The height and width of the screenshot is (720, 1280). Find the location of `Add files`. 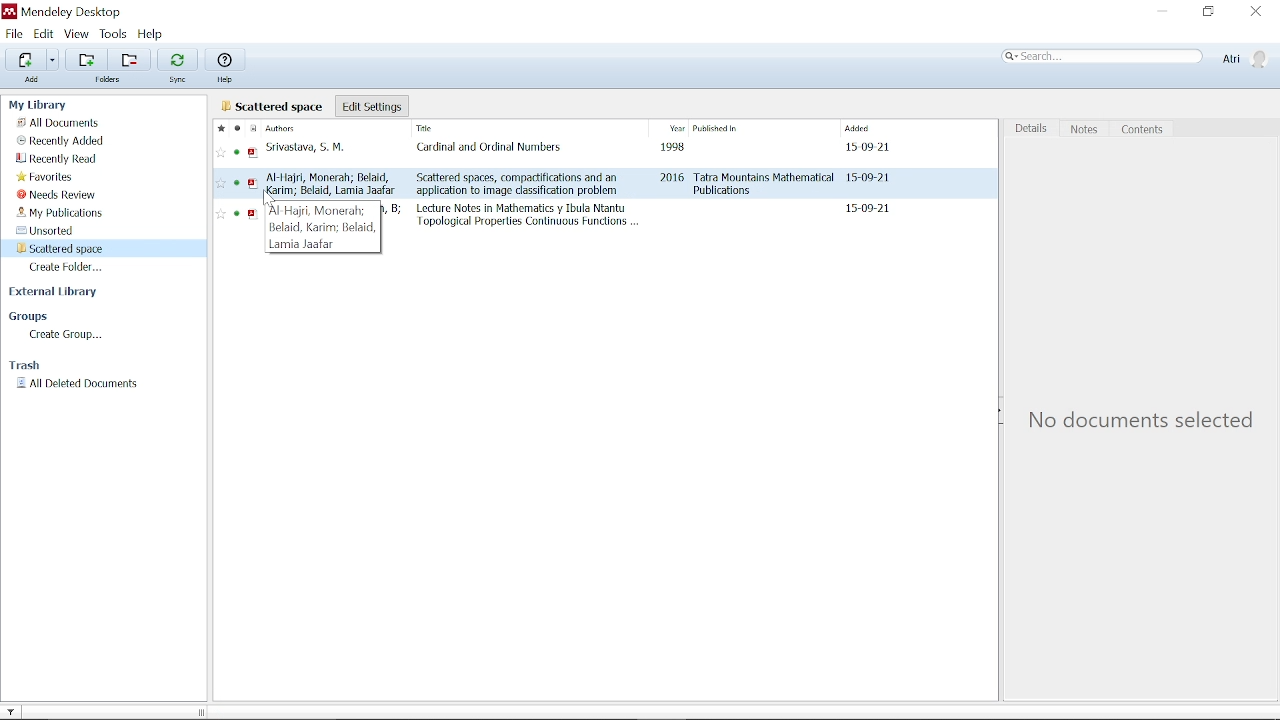

Add files is located at coordinates (25, 59).